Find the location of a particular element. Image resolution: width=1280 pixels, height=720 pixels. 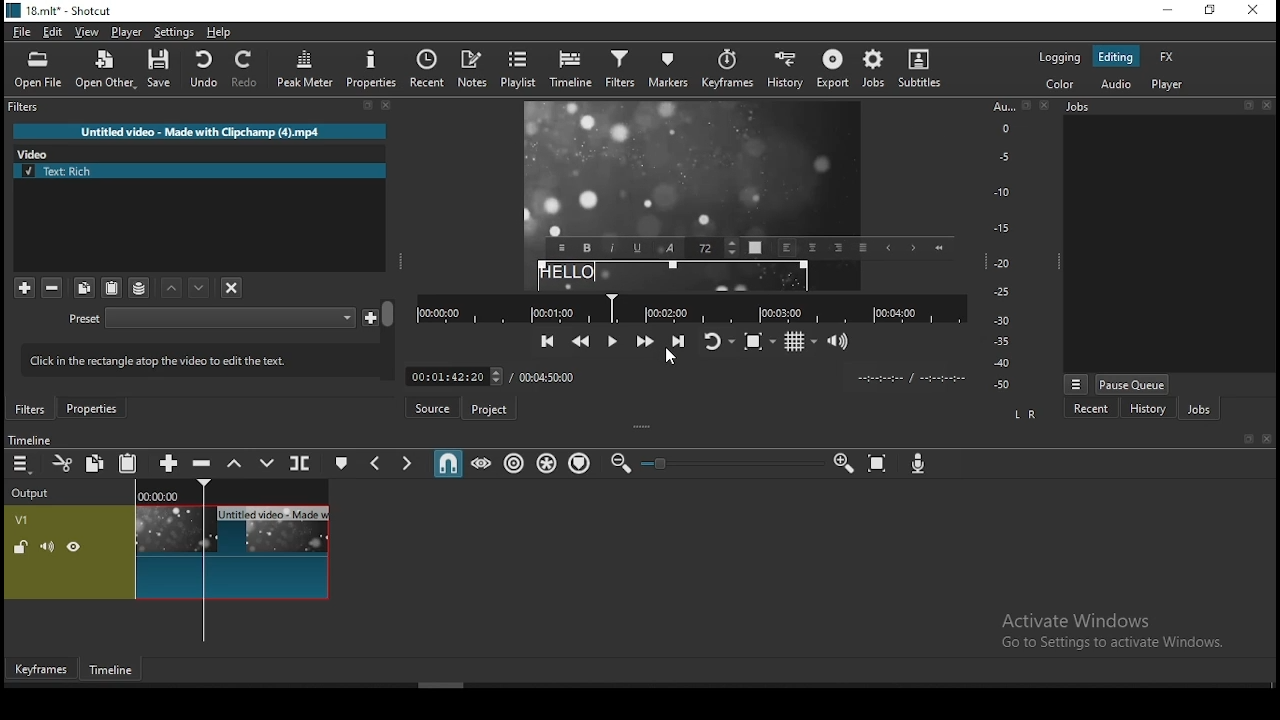

Frame Time is located at coordinates (454, 375).